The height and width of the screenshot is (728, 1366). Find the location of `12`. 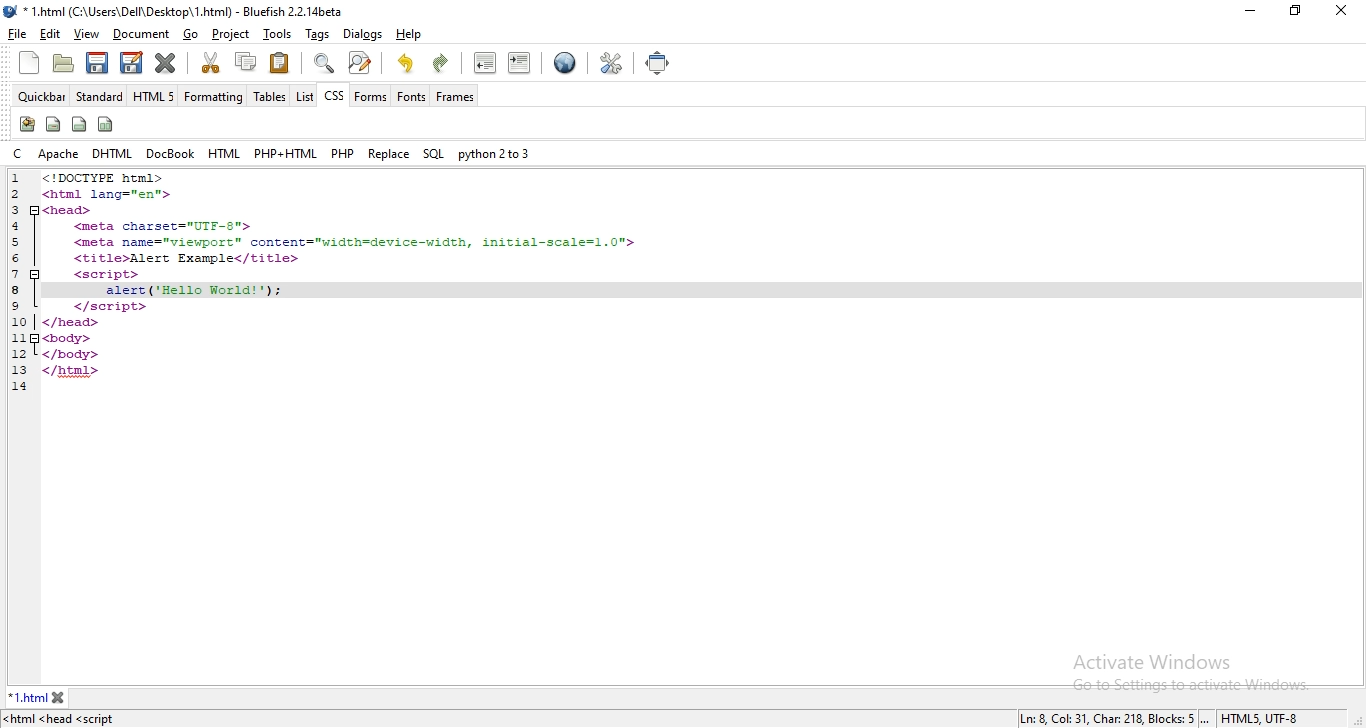

12 is located at coordinates (22, 354).